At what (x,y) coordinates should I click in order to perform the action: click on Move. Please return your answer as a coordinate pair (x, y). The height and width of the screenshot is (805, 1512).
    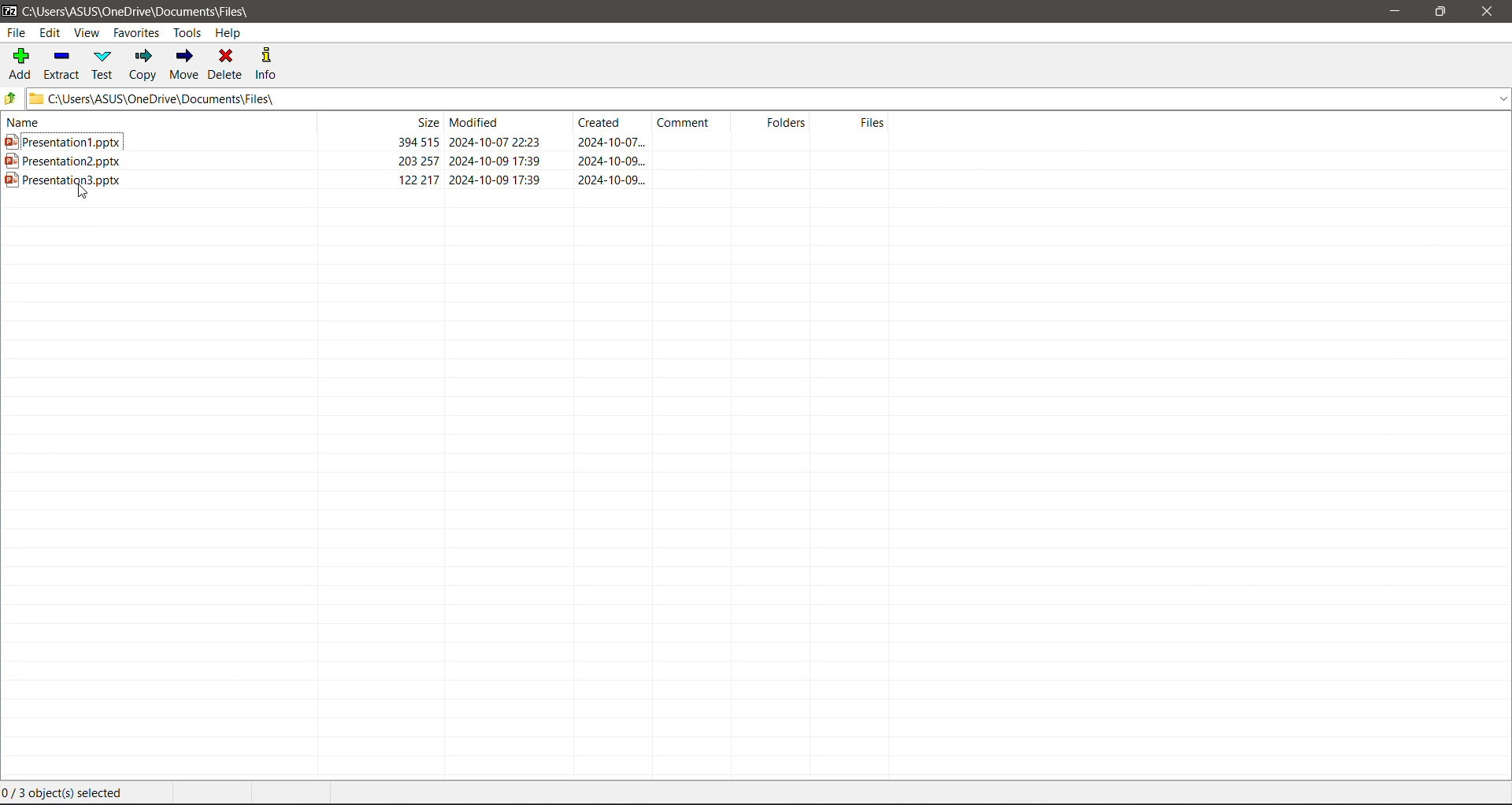
    Looking at the image, I should click on (184, 62).